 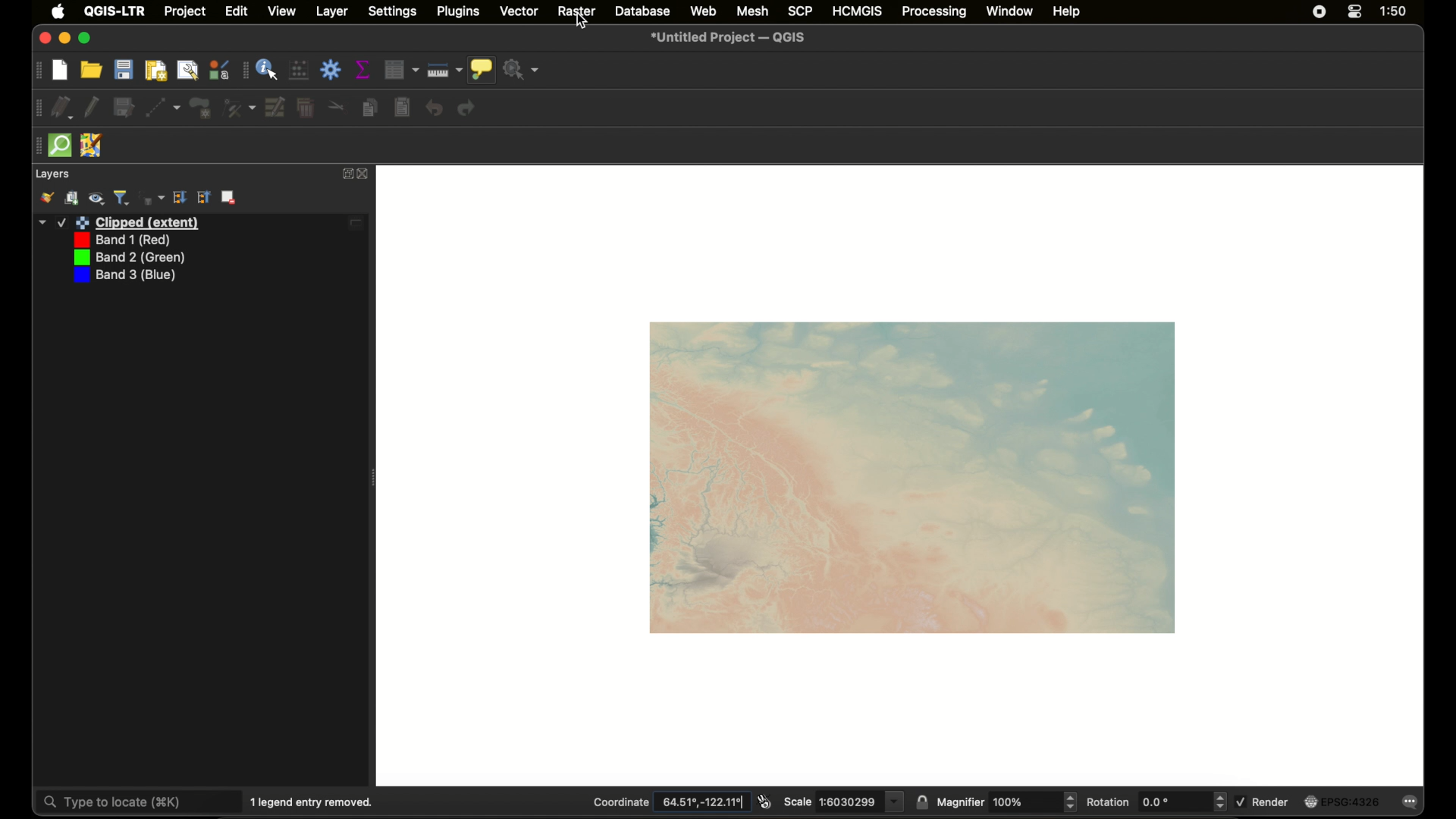 What do you see at coordinates (797, 10) in the screenshot?
I see `scp` at bounding box center [797, 10].